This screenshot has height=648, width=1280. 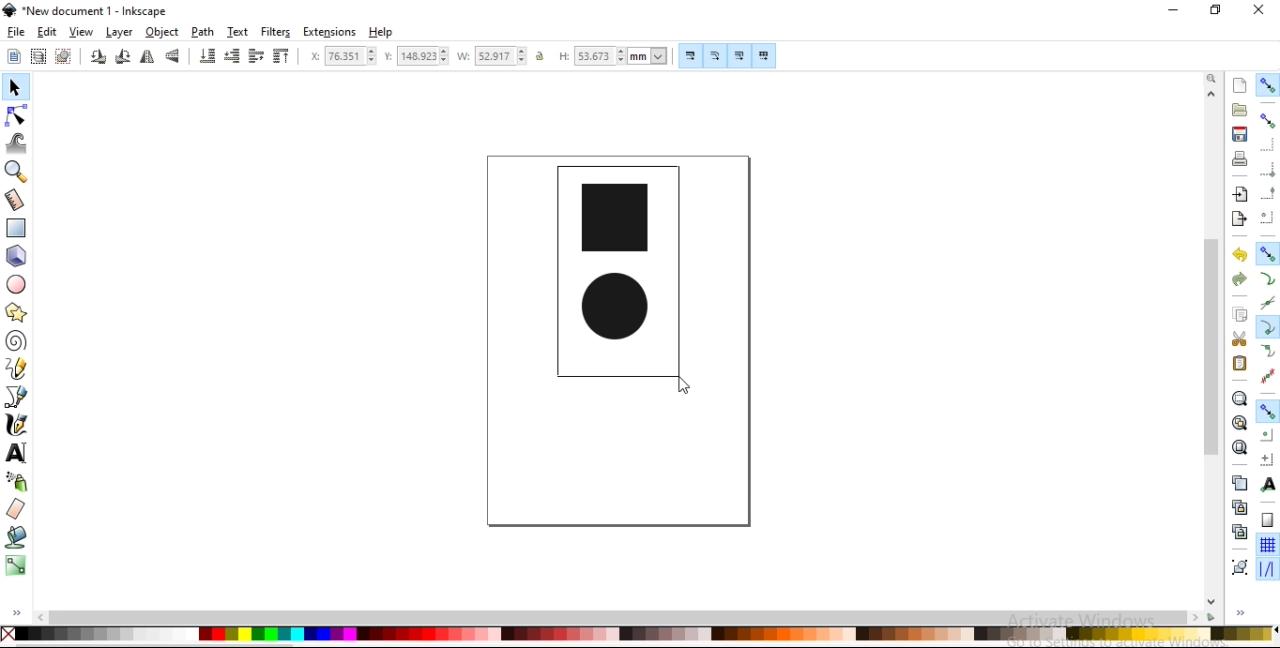 What do you see at coordinates (1239, 255) in the screenshot?
I see `undo` at bounding box center [1239, 255].